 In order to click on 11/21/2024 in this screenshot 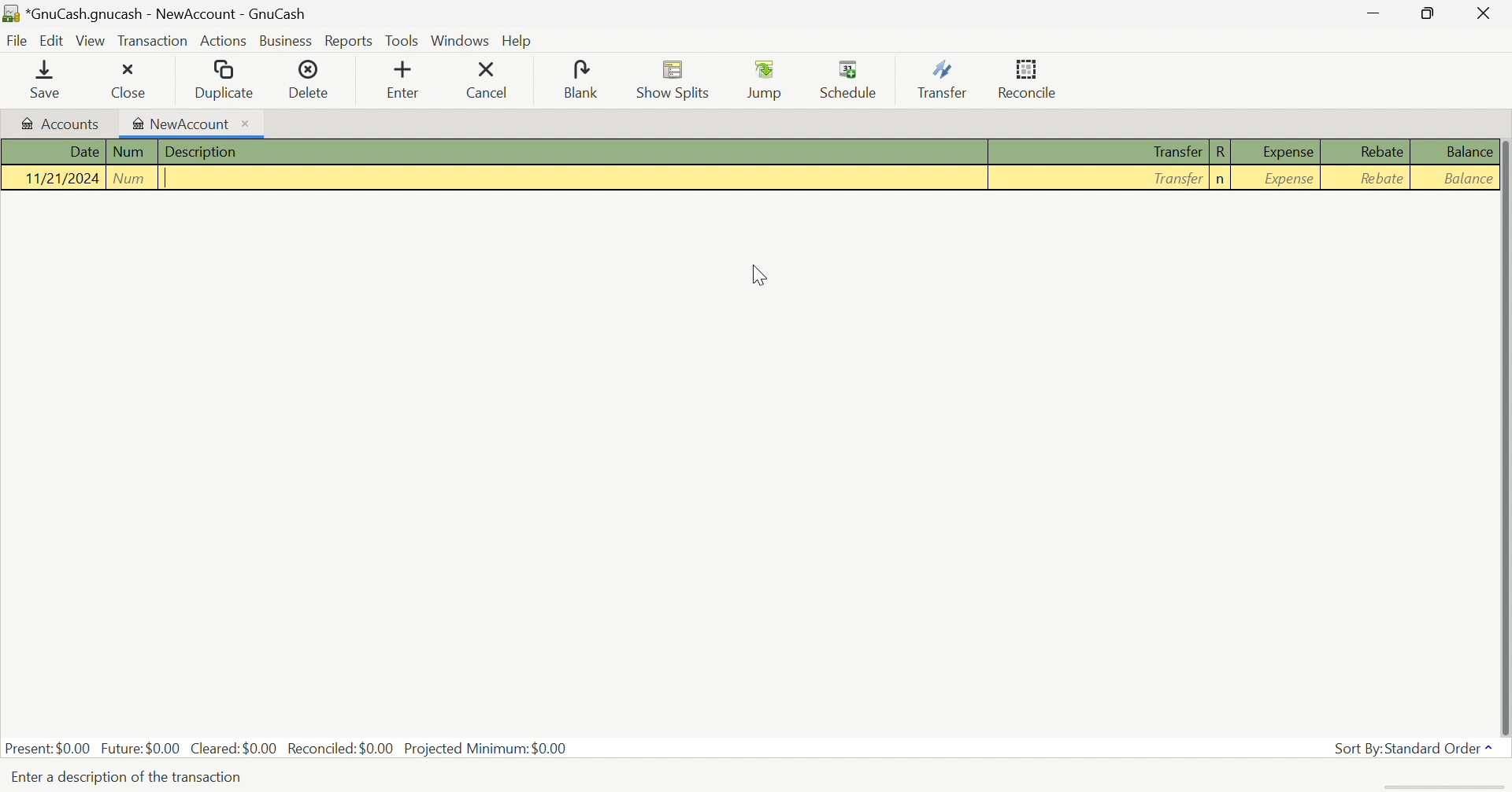, I will do `click(65, 178)`.